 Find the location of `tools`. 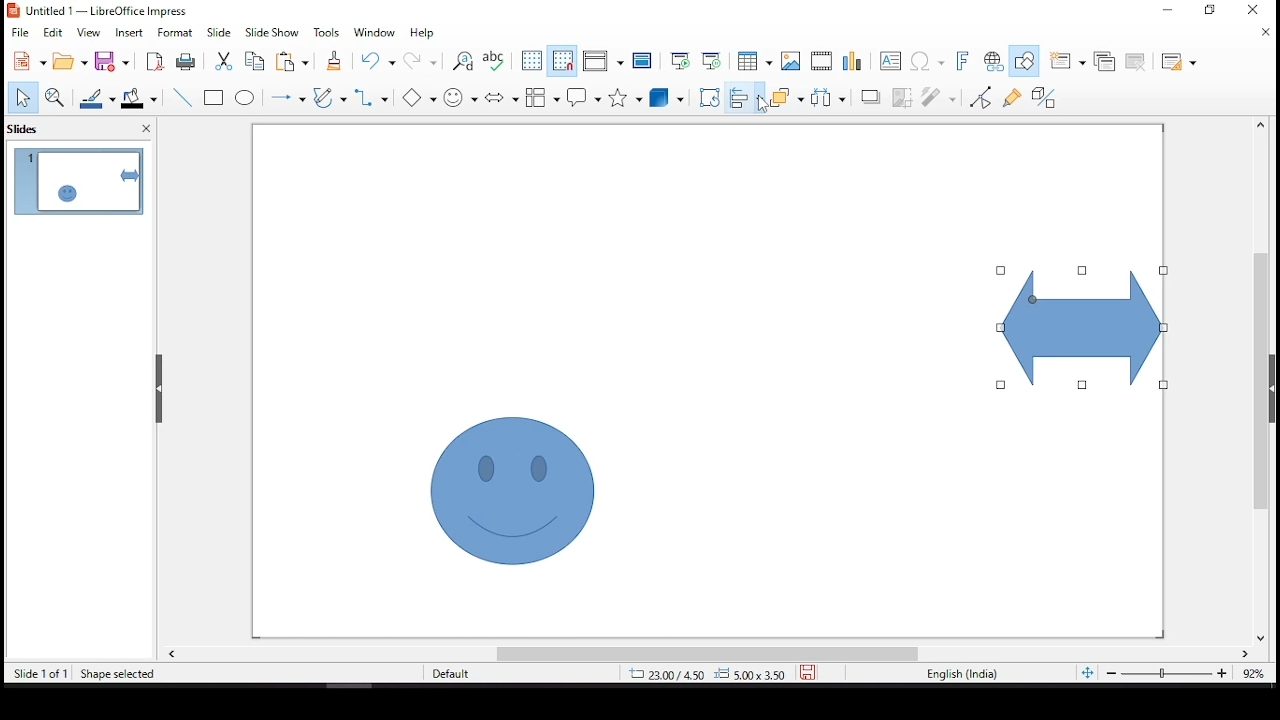

tools is located at coordinates (327, 33).